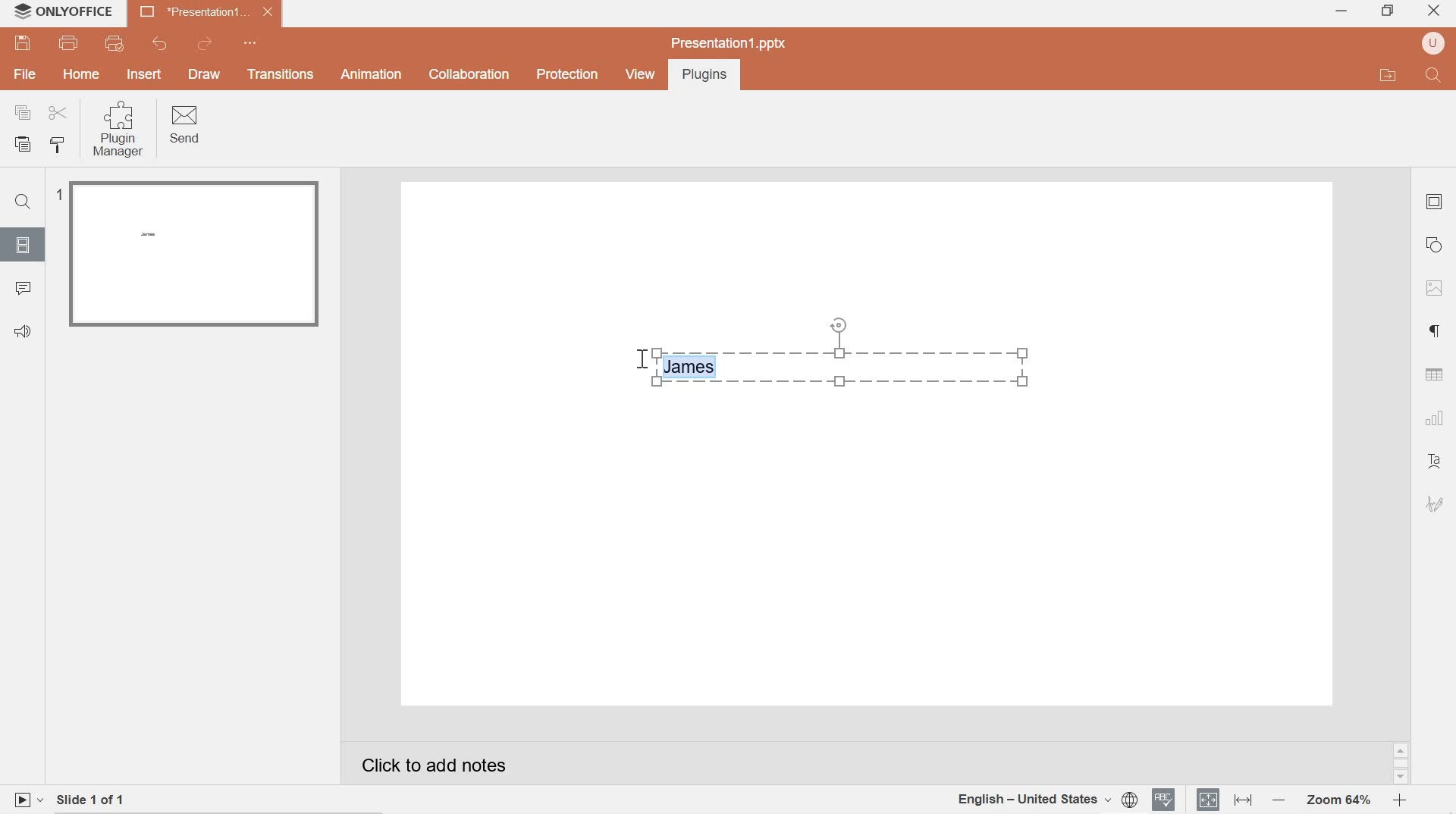 This screenshot has height=814, width=1456. What do you see at coordinates (1437, 332) in the screenshot?
I see `paragraph settings` at bounding box center [1437, 332].